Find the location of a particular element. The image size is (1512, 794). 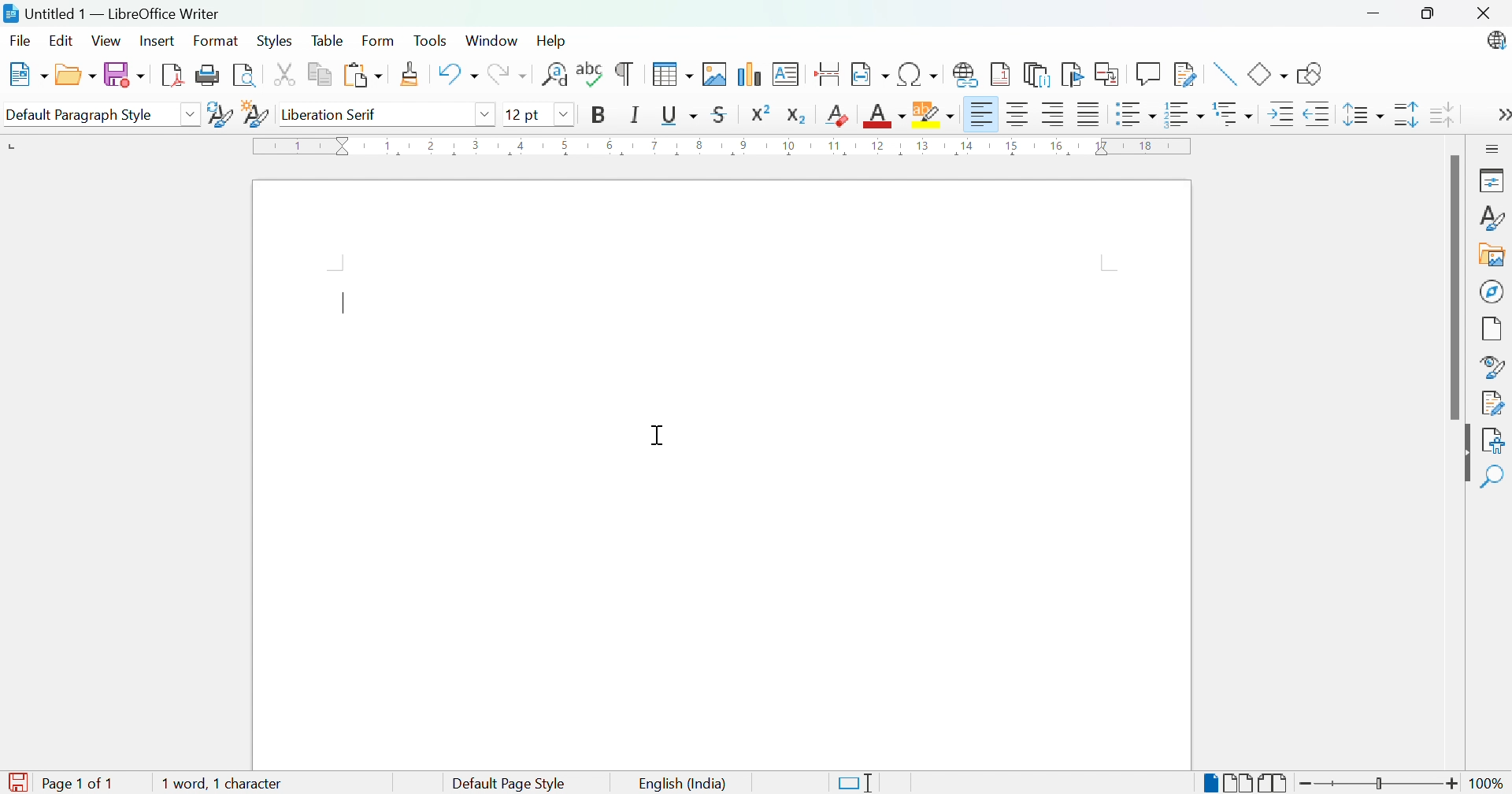

Insert field is located at coordinates (870, 72).